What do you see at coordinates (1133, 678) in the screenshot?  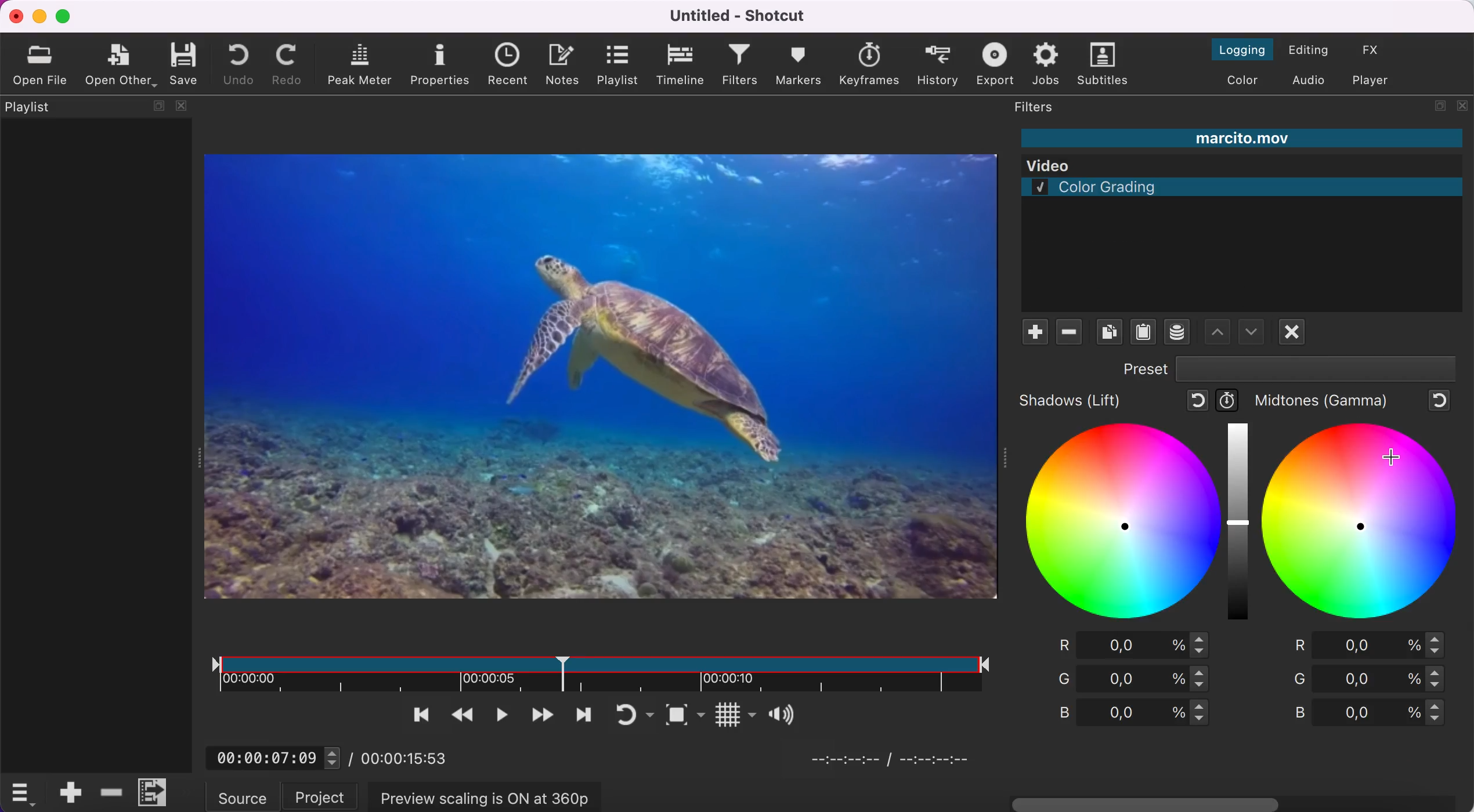 I see `green` at bounding box center [1133, 678].